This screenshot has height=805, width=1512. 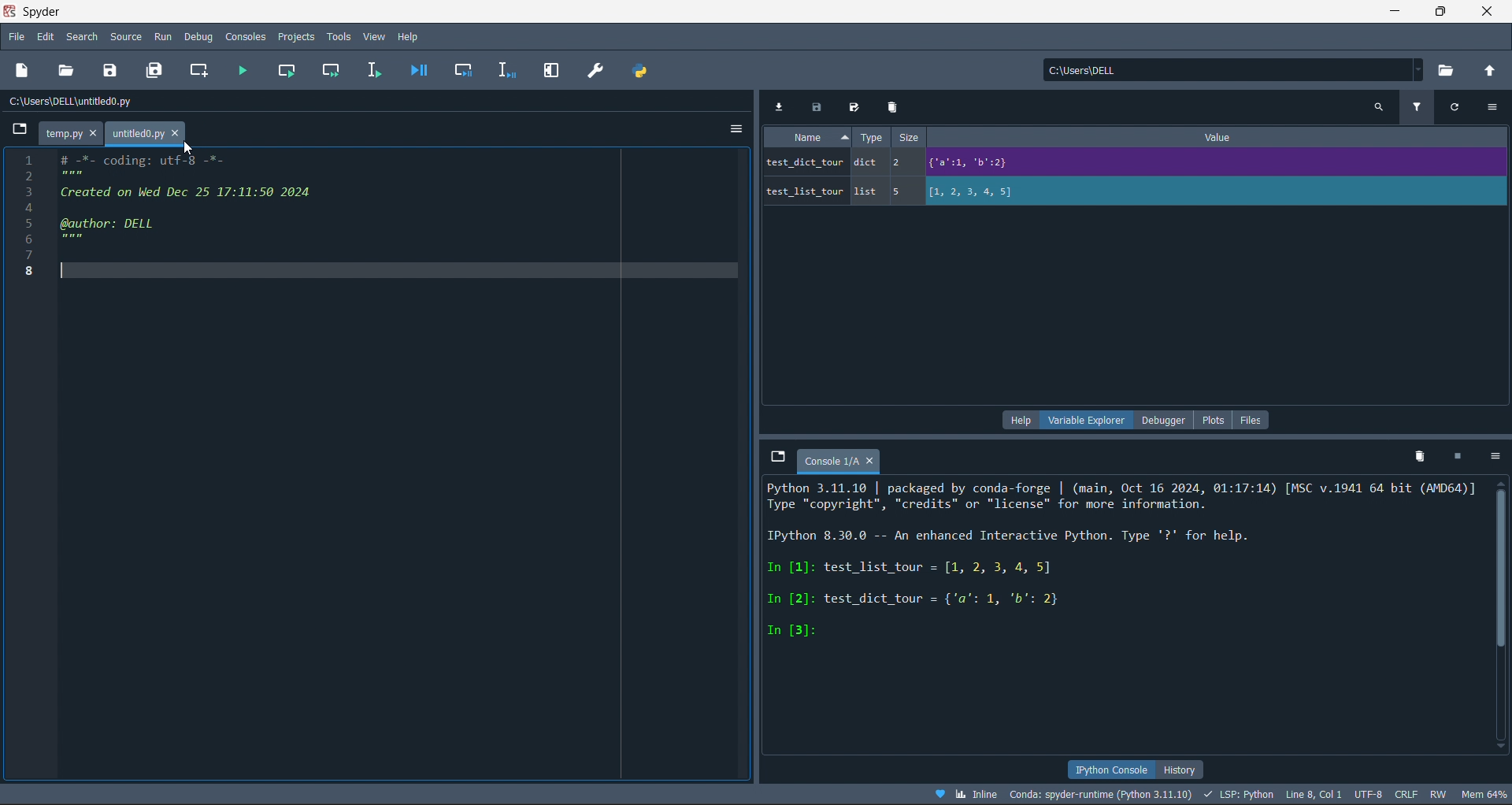 I want to click on temp.py tab, so click(x=68, y=133).